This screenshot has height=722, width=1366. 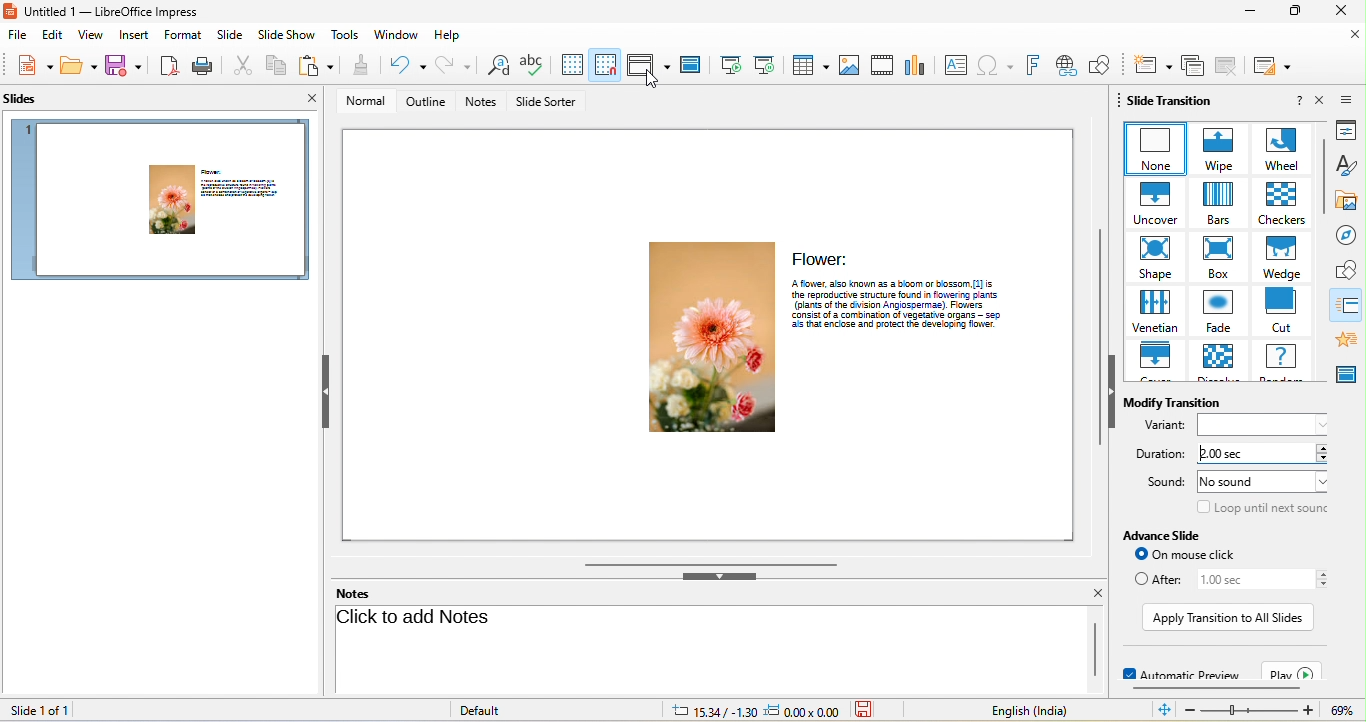 I want to click on fit slide to current window, so click(x=1162, y=710).